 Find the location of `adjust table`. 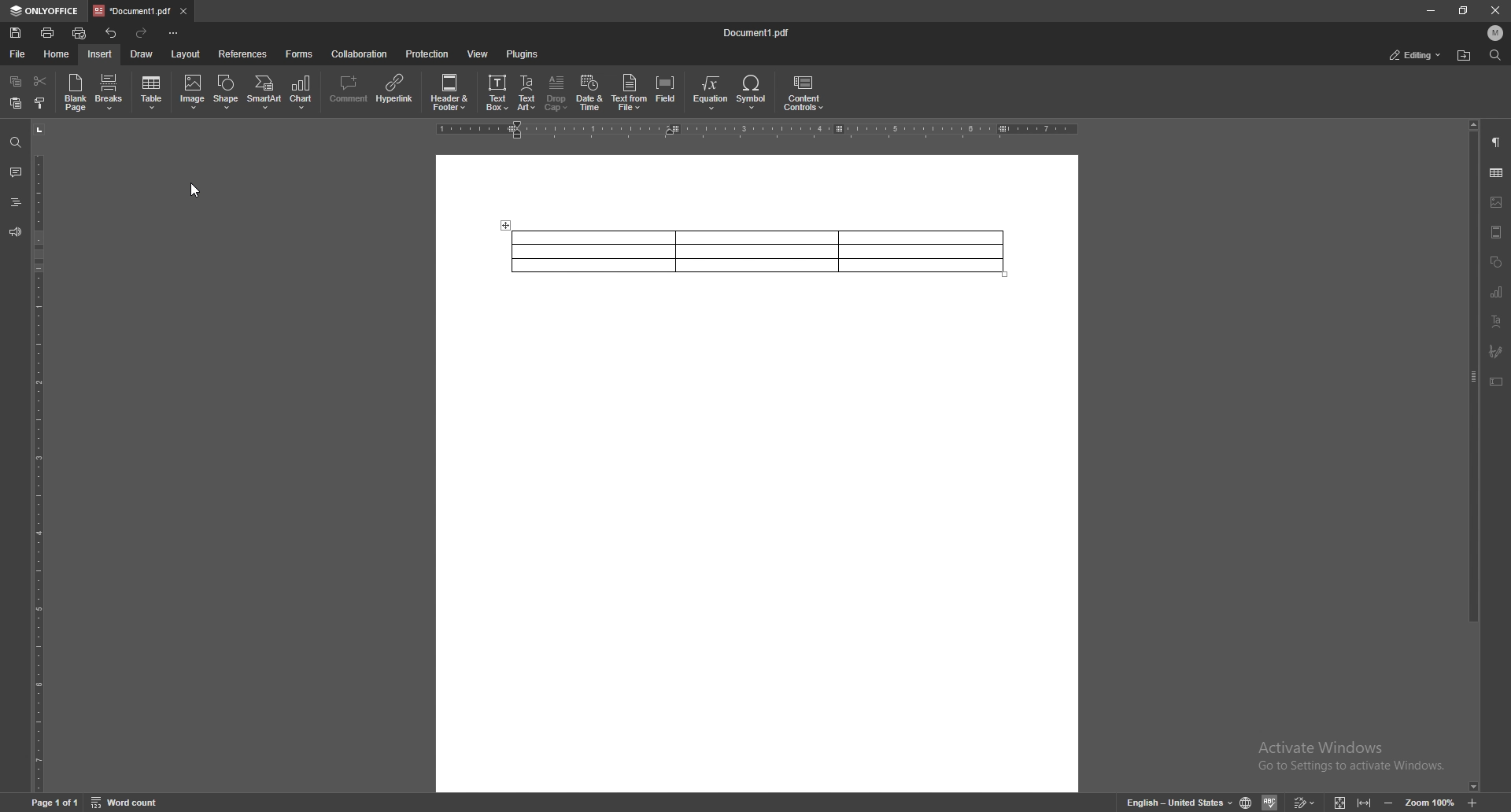

adjust table is located at coordinates (504, 225).